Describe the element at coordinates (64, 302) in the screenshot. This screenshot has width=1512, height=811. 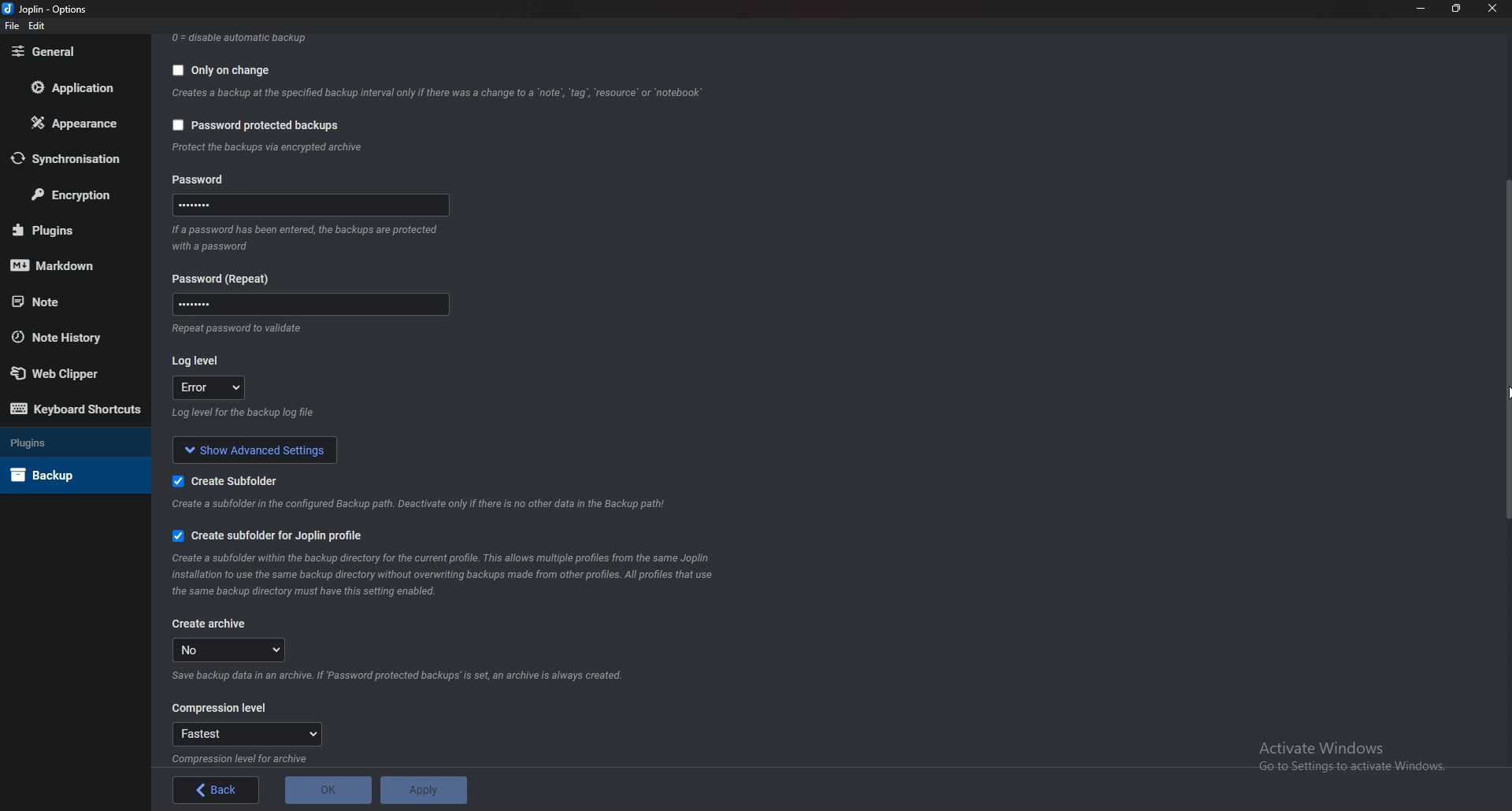
I see `note` at that location.